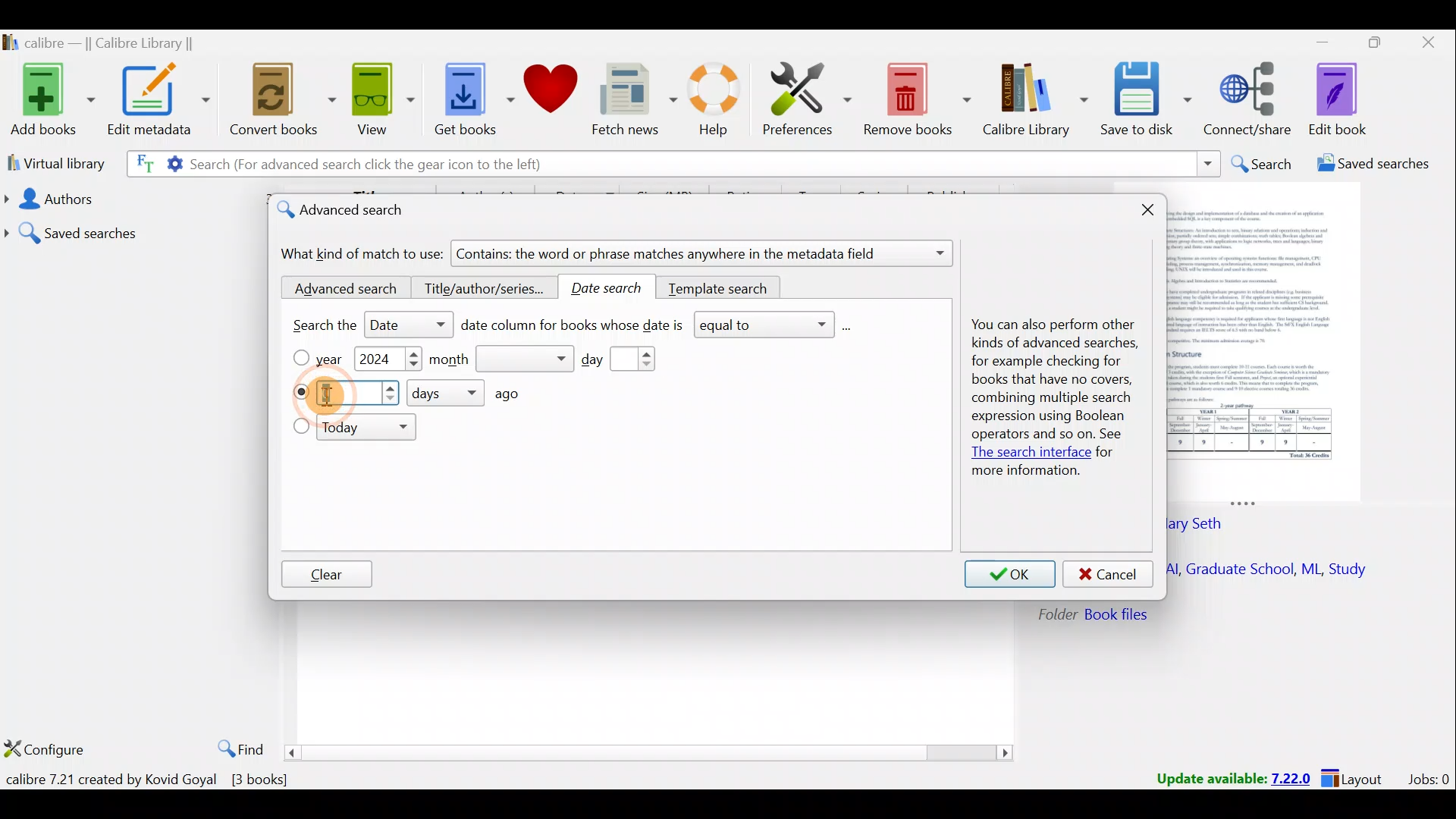 This screenshot has width=1456, height=819. I want to click on Calibre library, so click(1037, 101).